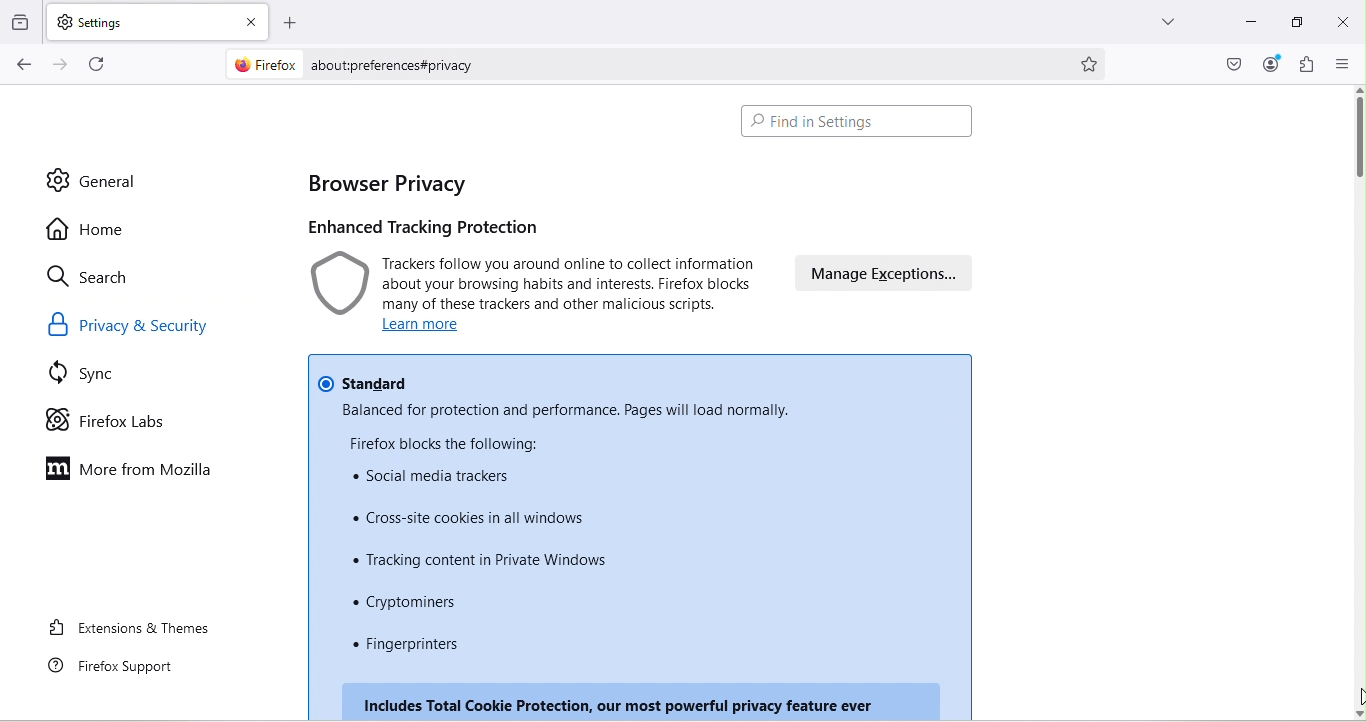 The width and height of the screenshot is (1366, 722). Describe the element at coordinates (1245, 25) in the screenshot. I see `Input ` at that location.